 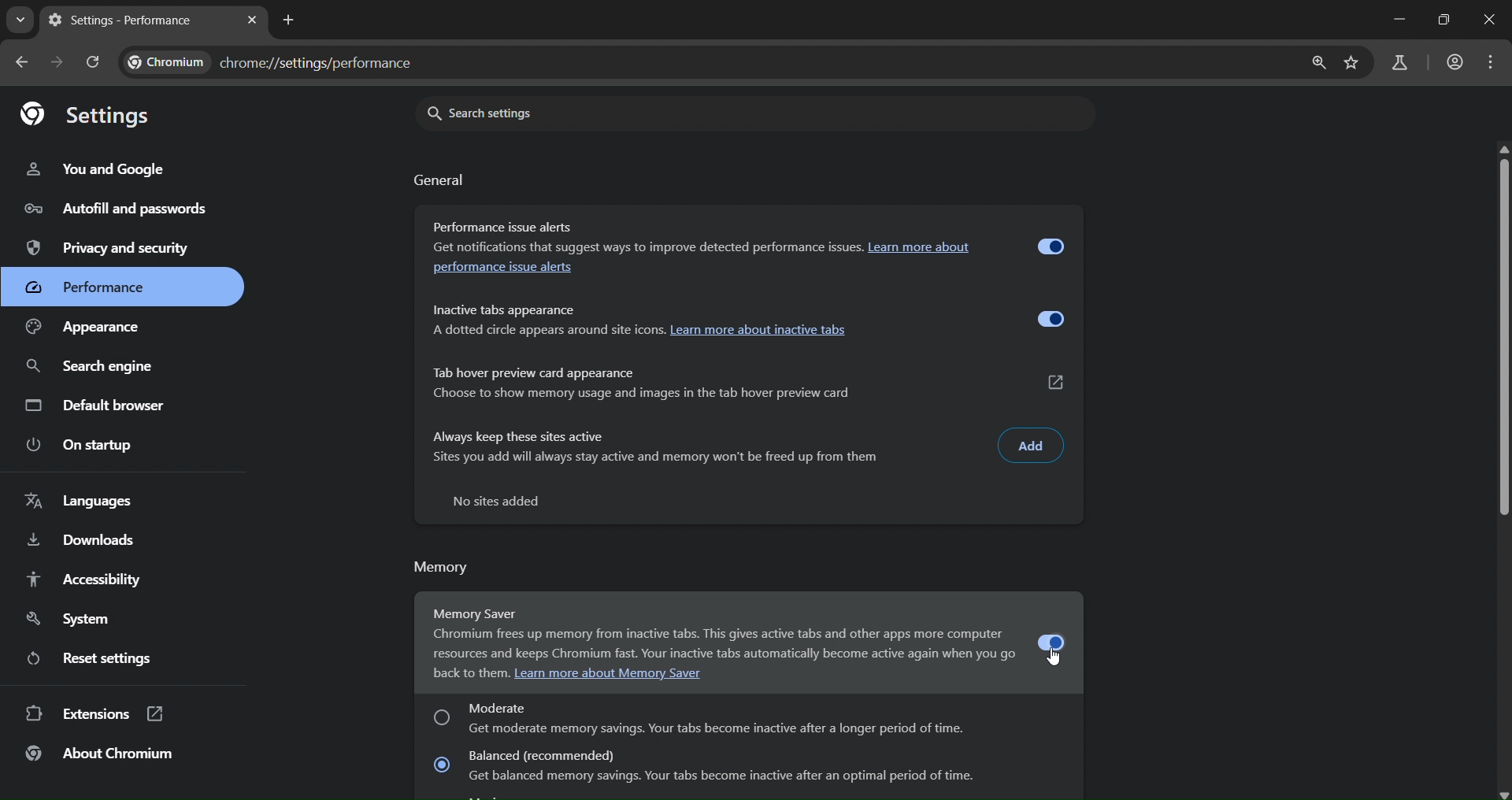 What do you see at coordinates (1052, 643) in the screenshot?
I see `toggle button` at bounding box center [1052, 643].